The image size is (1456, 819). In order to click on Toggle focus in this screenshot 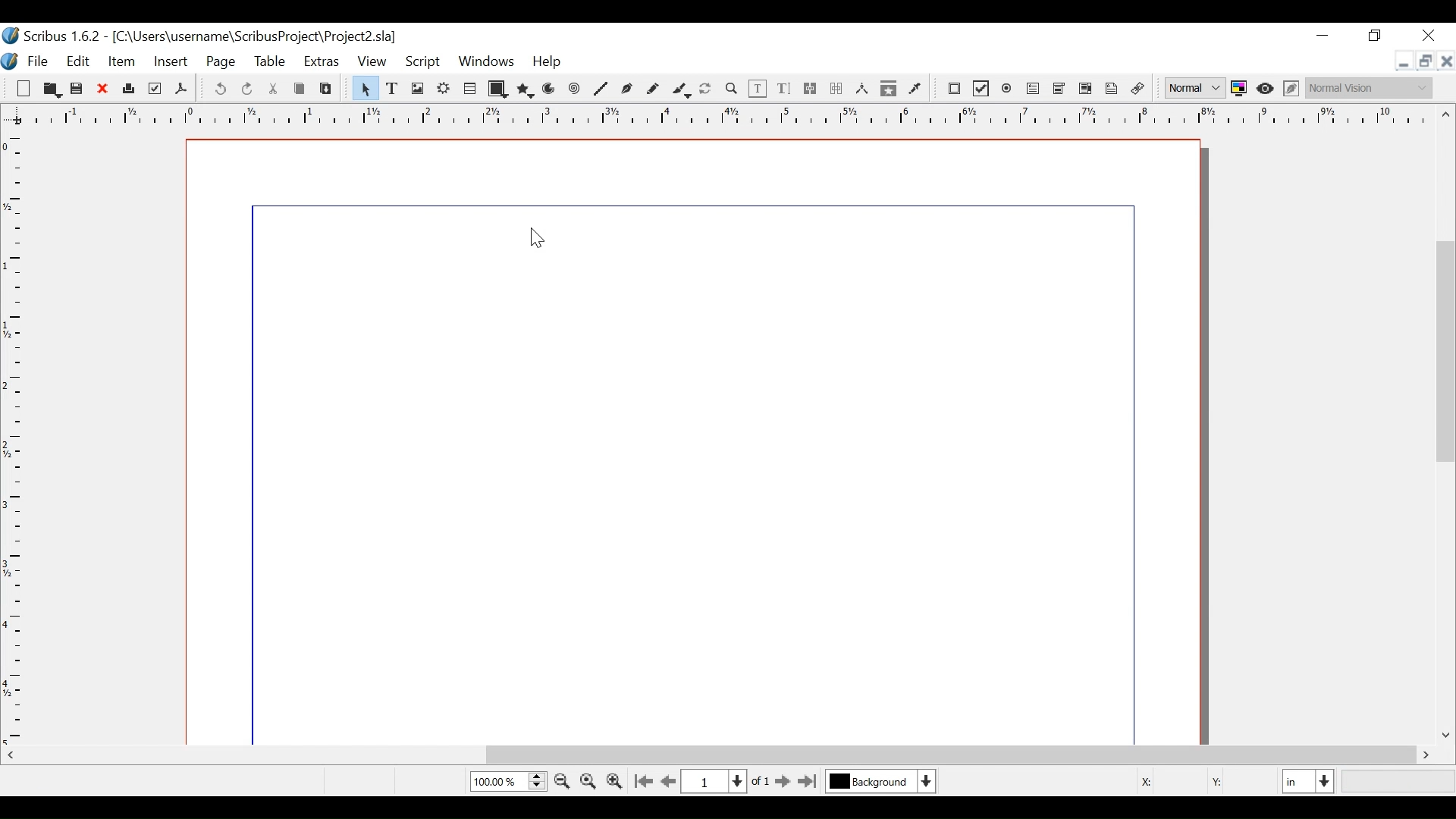, I will do `click(1266, 88)`.